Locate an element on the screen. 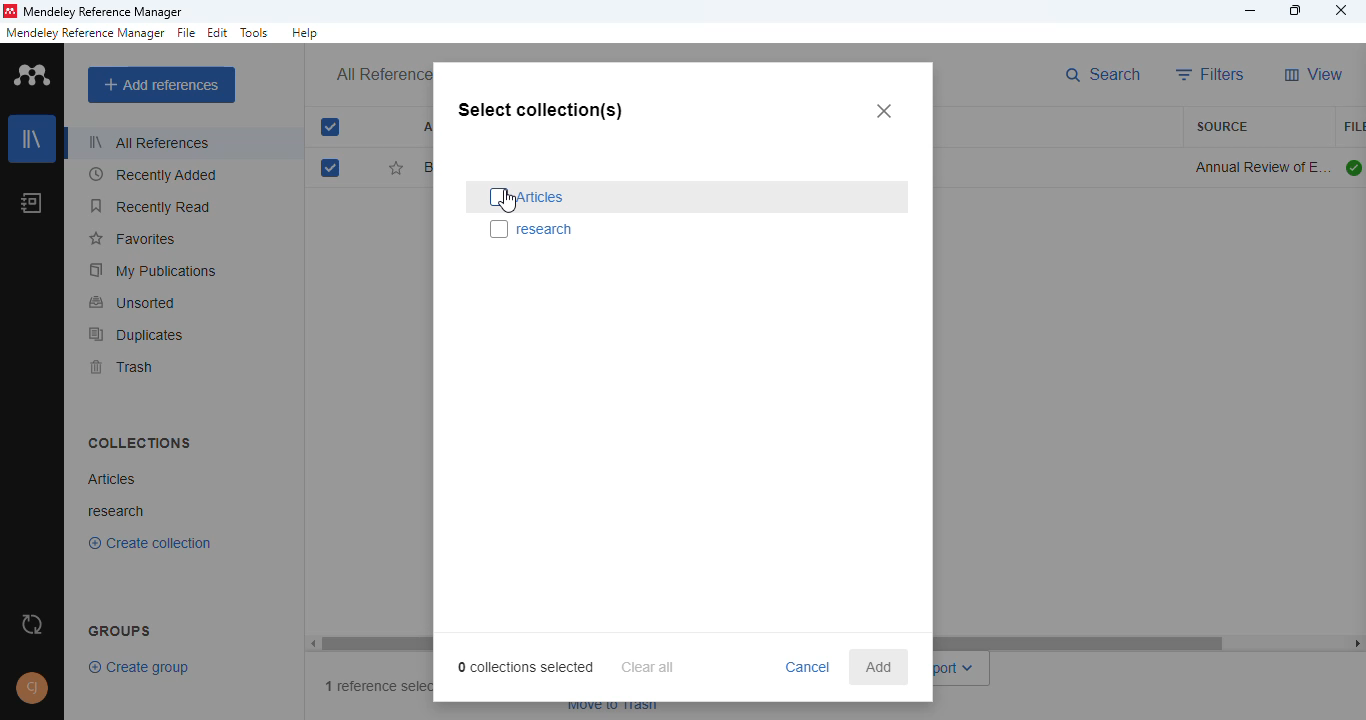 The width and height of the screenshot is (1366, 720). notebook is located at coordinates (31, 203).